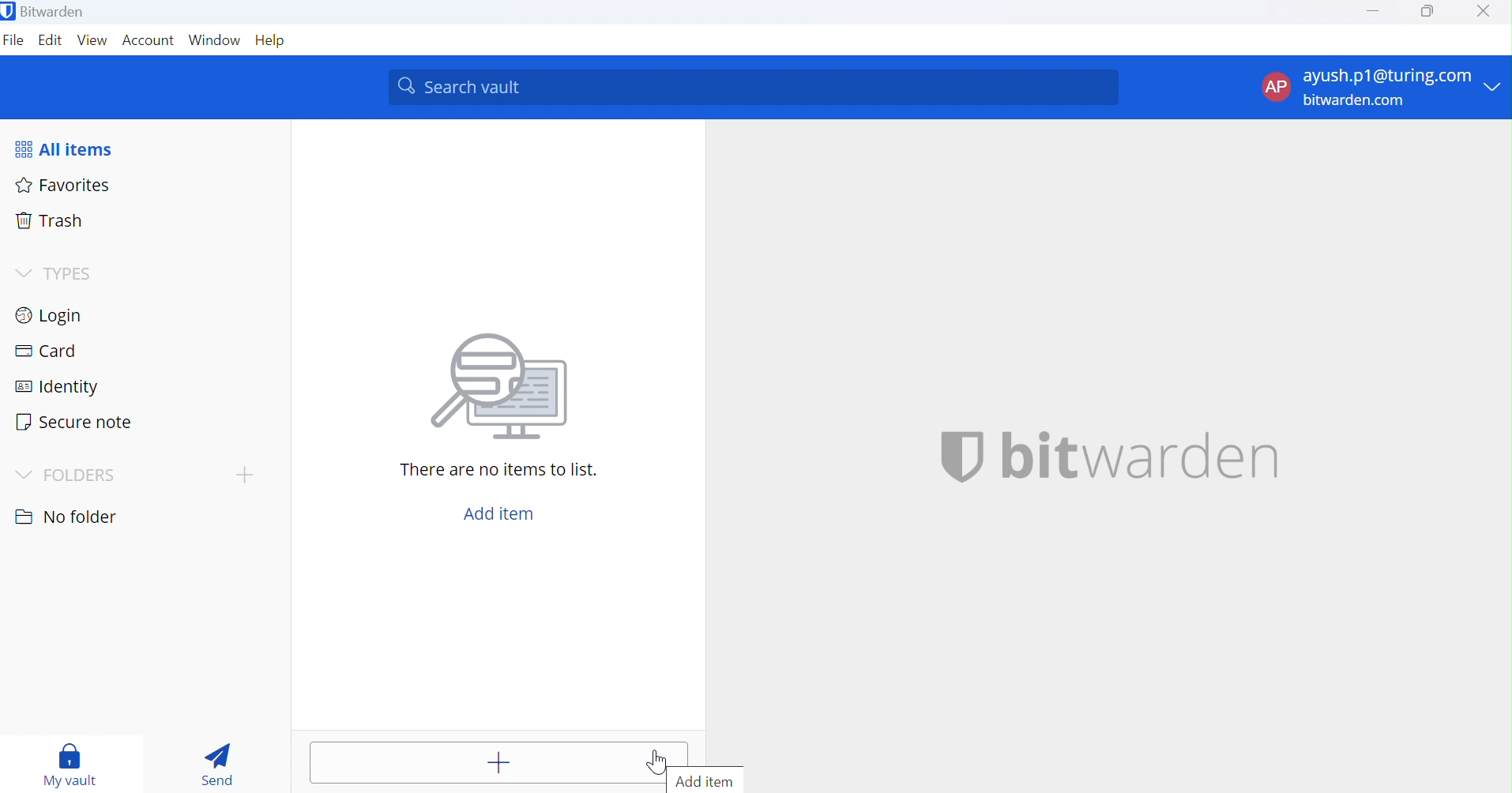  Describe the element at coordinates (77, 419) in the screenshot. I see `Secure note` at that location.